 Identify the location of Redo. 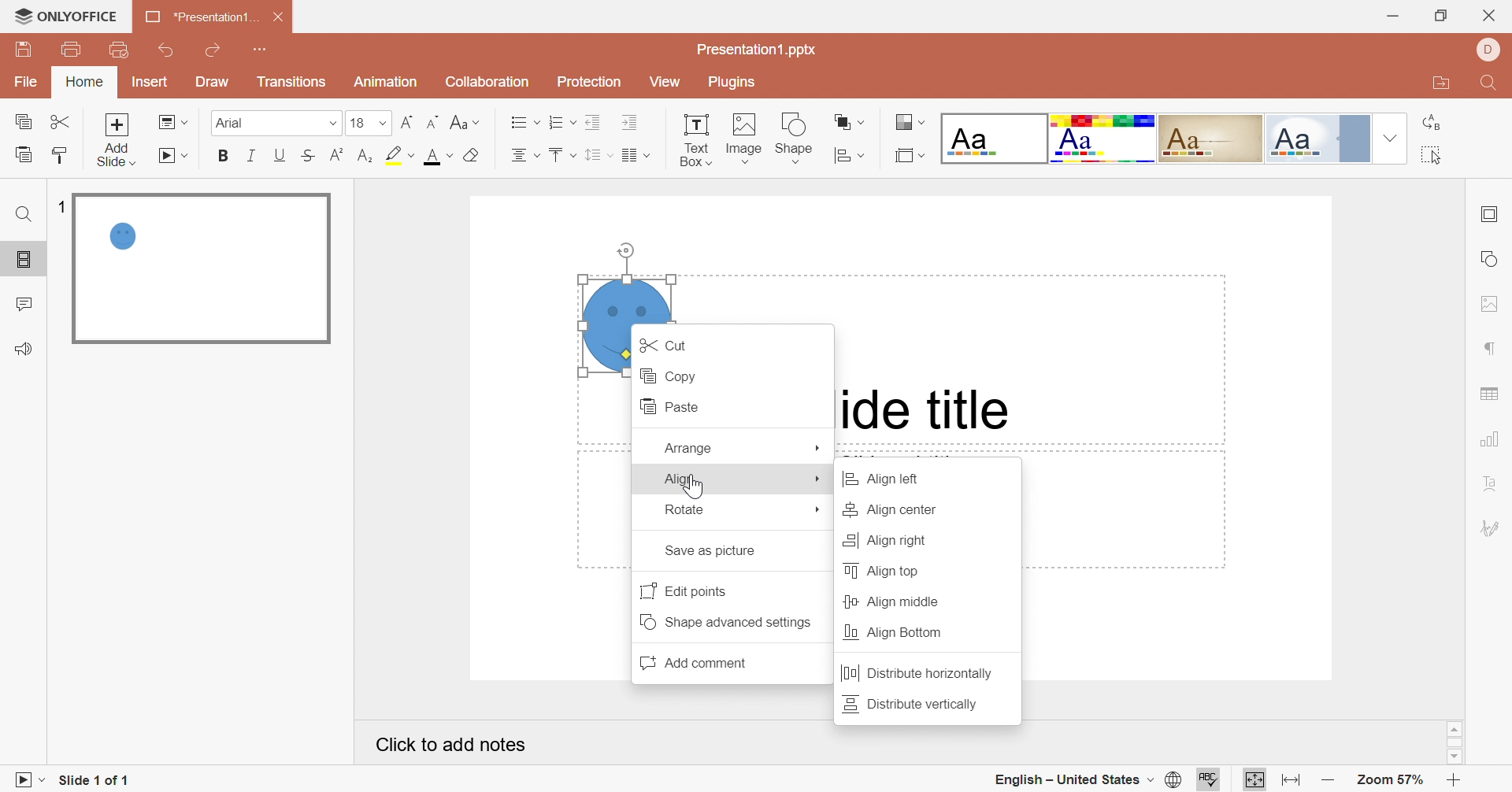
(216, 50).